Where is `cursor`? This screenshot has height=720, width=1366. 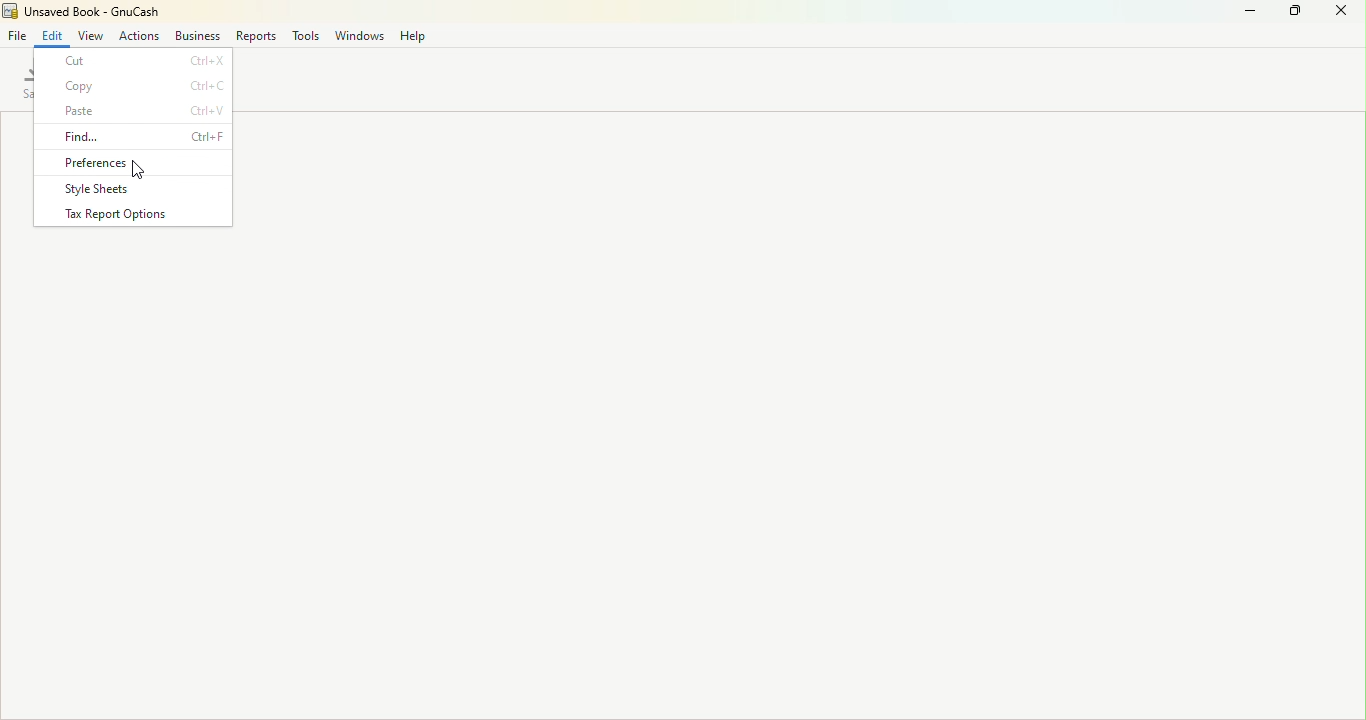
cursor is located at coordinates (138, 173).